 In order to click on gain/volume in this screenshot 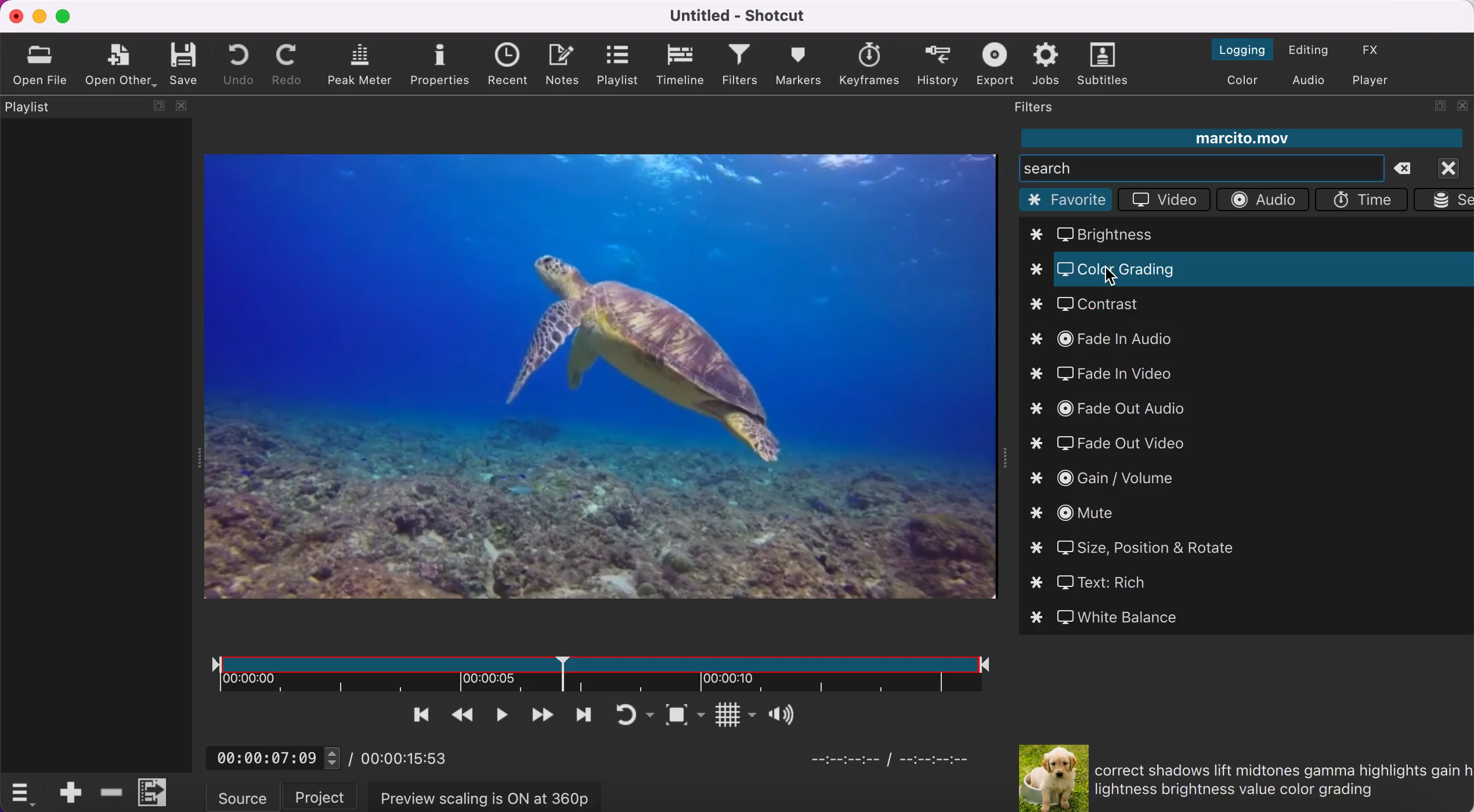, I will do `click(1108, 480)`.